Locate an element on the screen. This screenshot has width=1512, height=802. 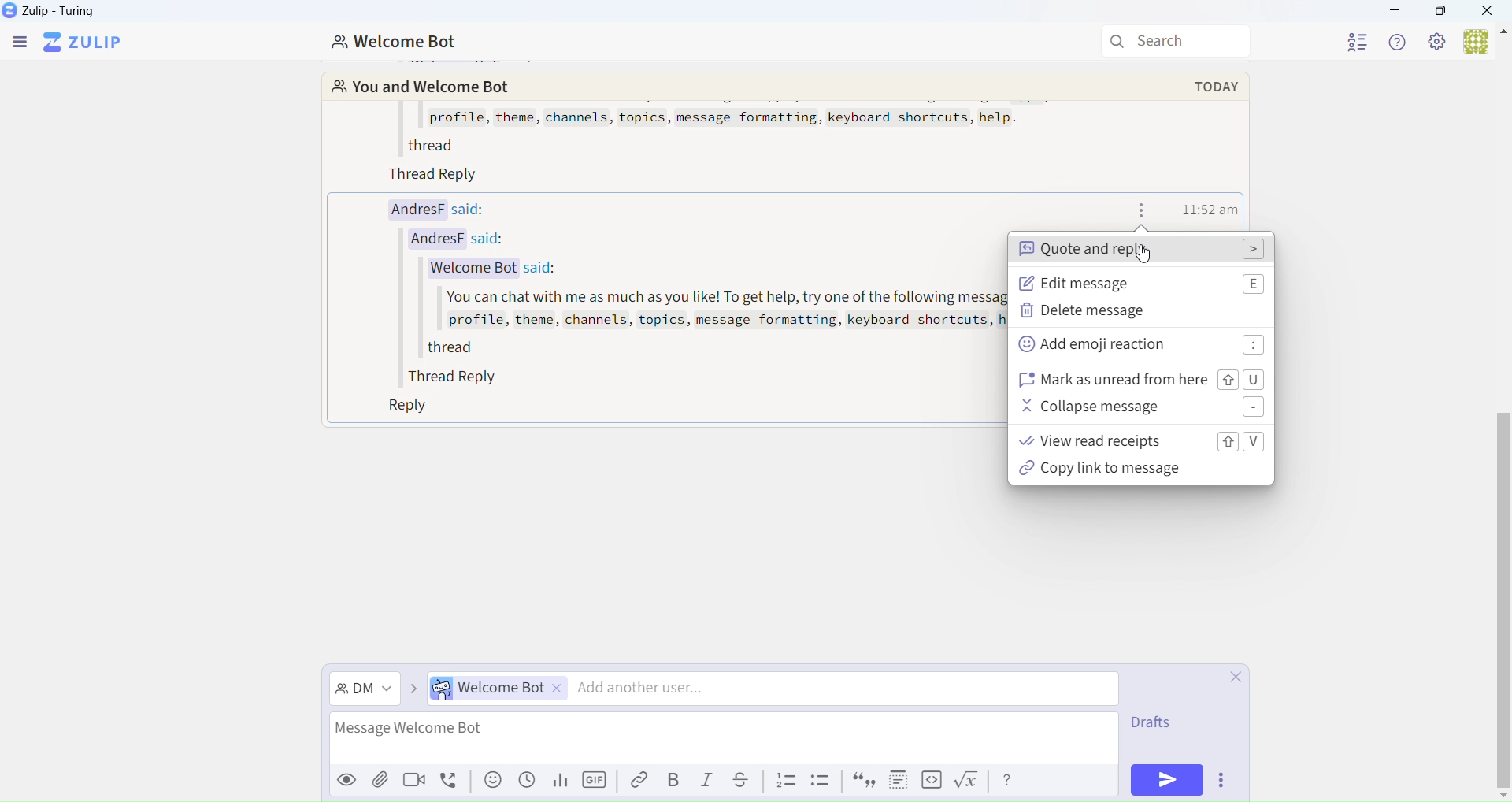
AndresF said: is located at coordinates (469, 240).